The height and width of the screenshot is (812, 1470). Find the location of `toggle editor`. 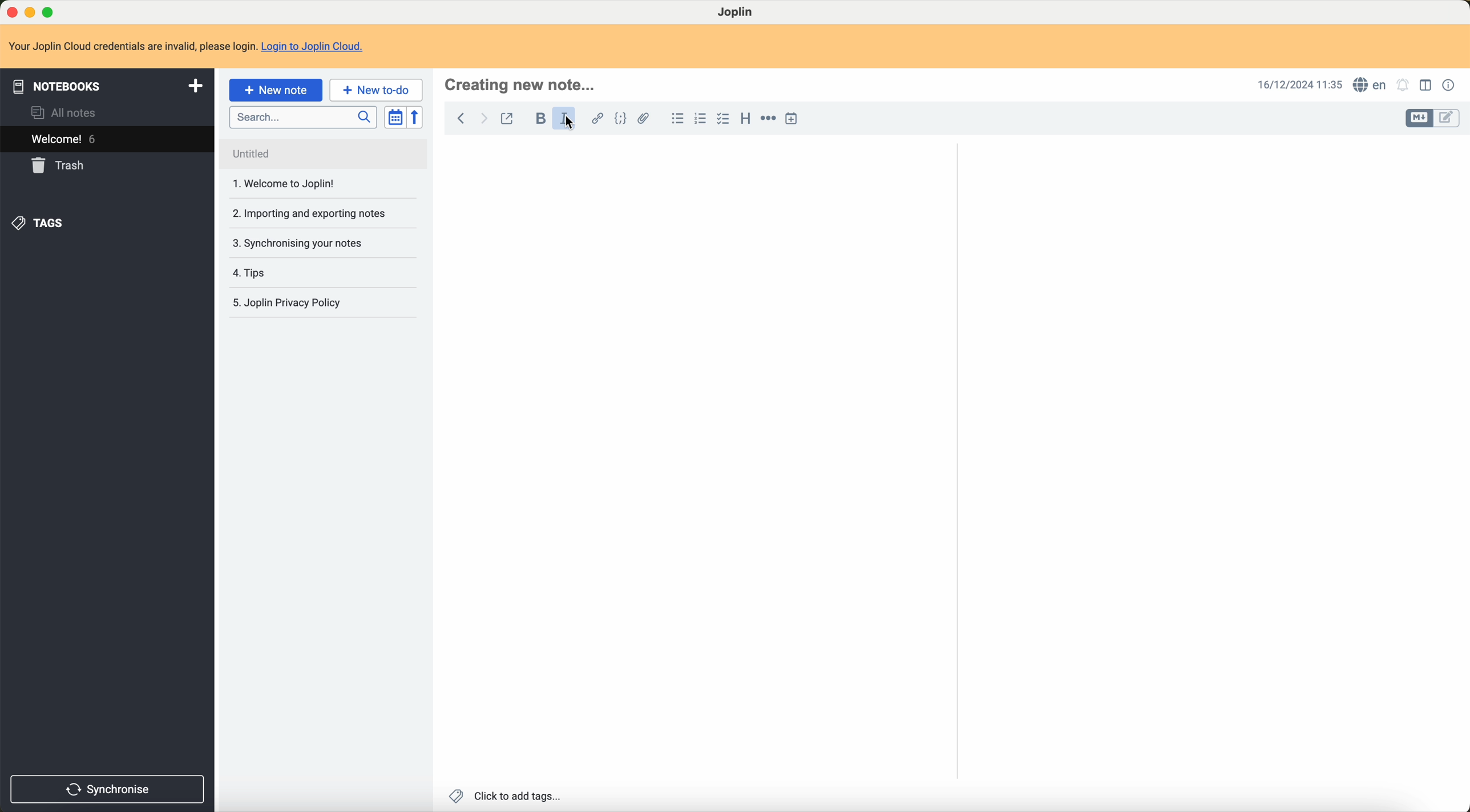

toggle editor is located at coordinates (1447, 120).